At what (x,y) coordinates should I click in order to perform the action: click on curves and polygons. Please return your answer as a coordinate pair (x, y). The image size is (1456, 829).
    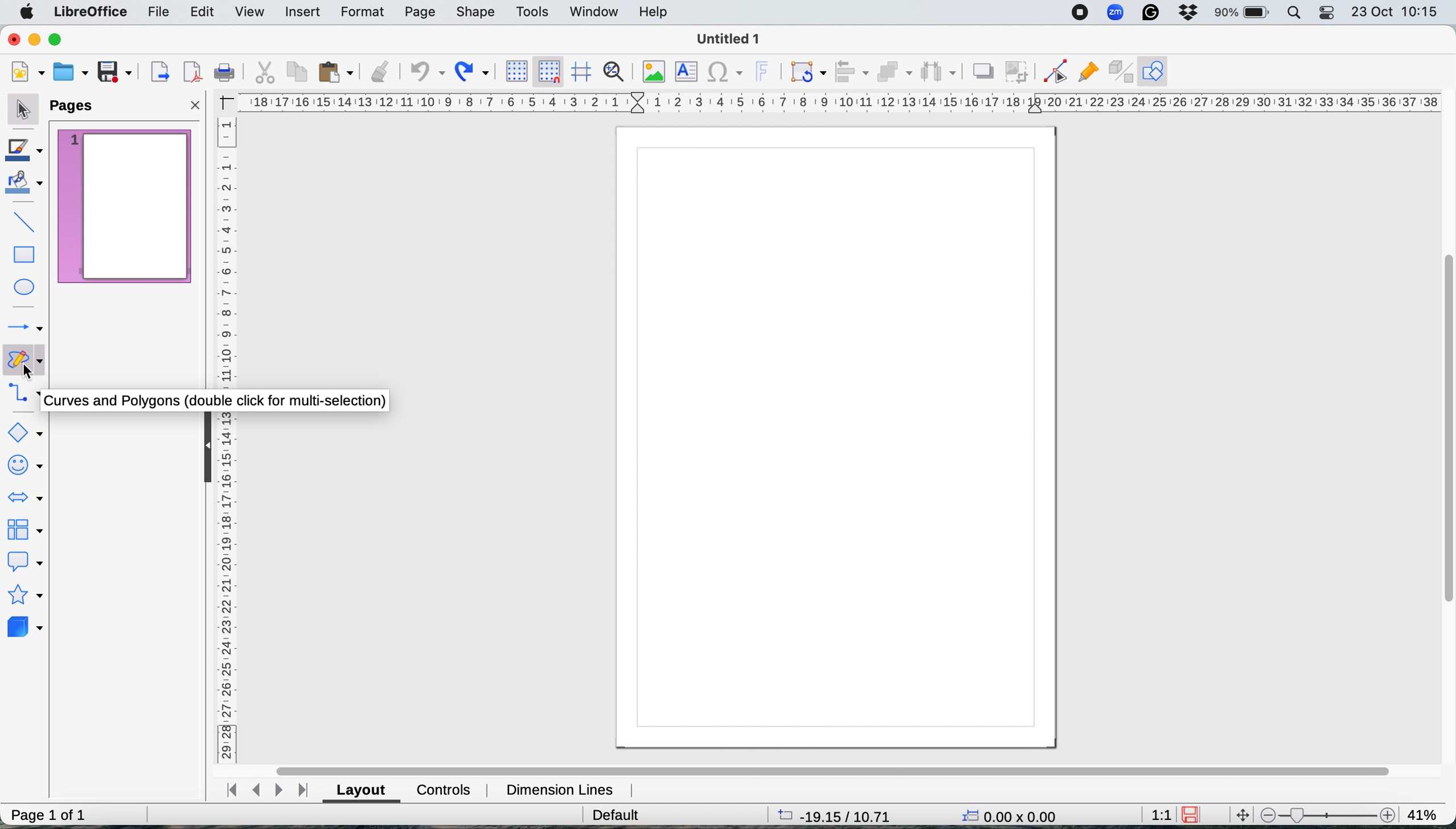
    Looking at the image, I should click on (24, 353).